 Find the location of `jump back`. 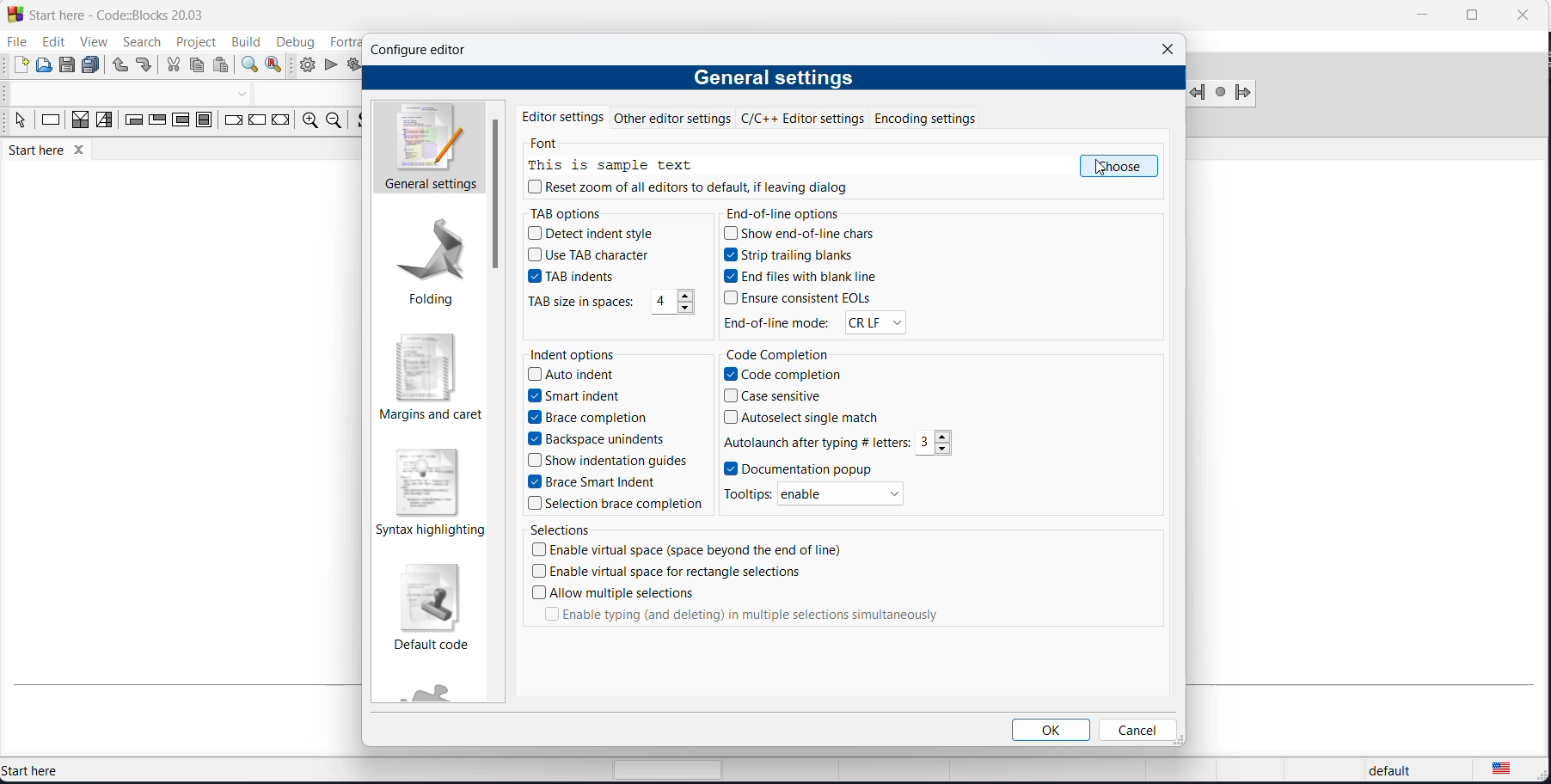

jump back is located at coordinates (1199, 93).